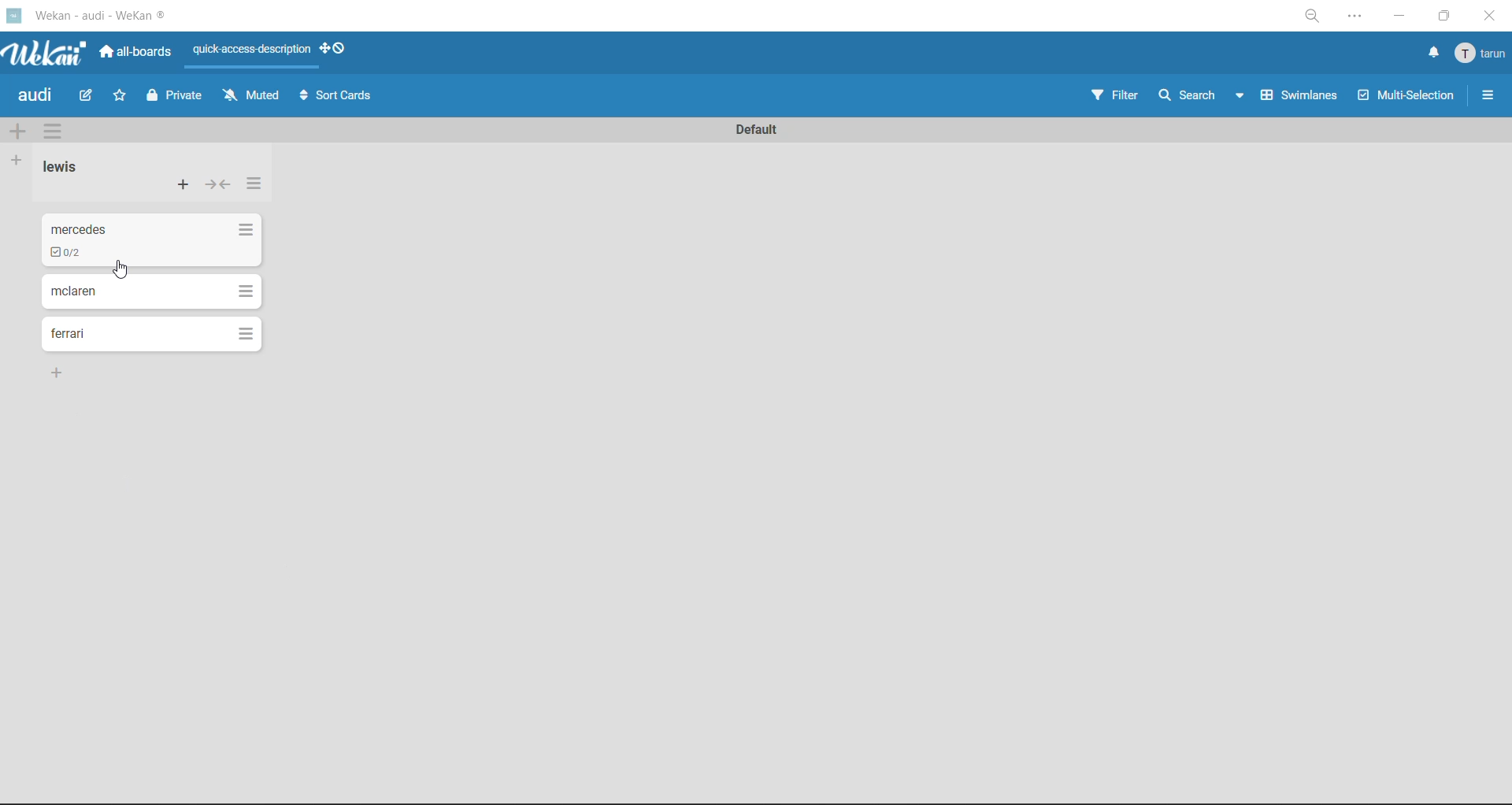 The width and height of the screenshot is (1512, 805). Describe the element at coordinates (1120, 97) in the screenshot. I see `filter` at that location.